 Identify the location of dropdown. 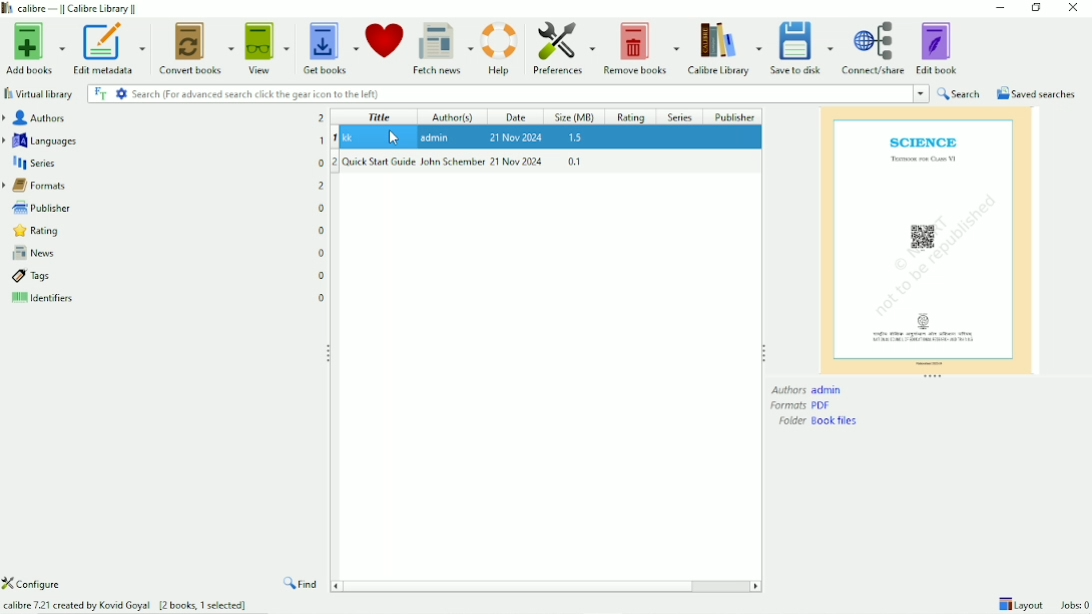
(922, 93).